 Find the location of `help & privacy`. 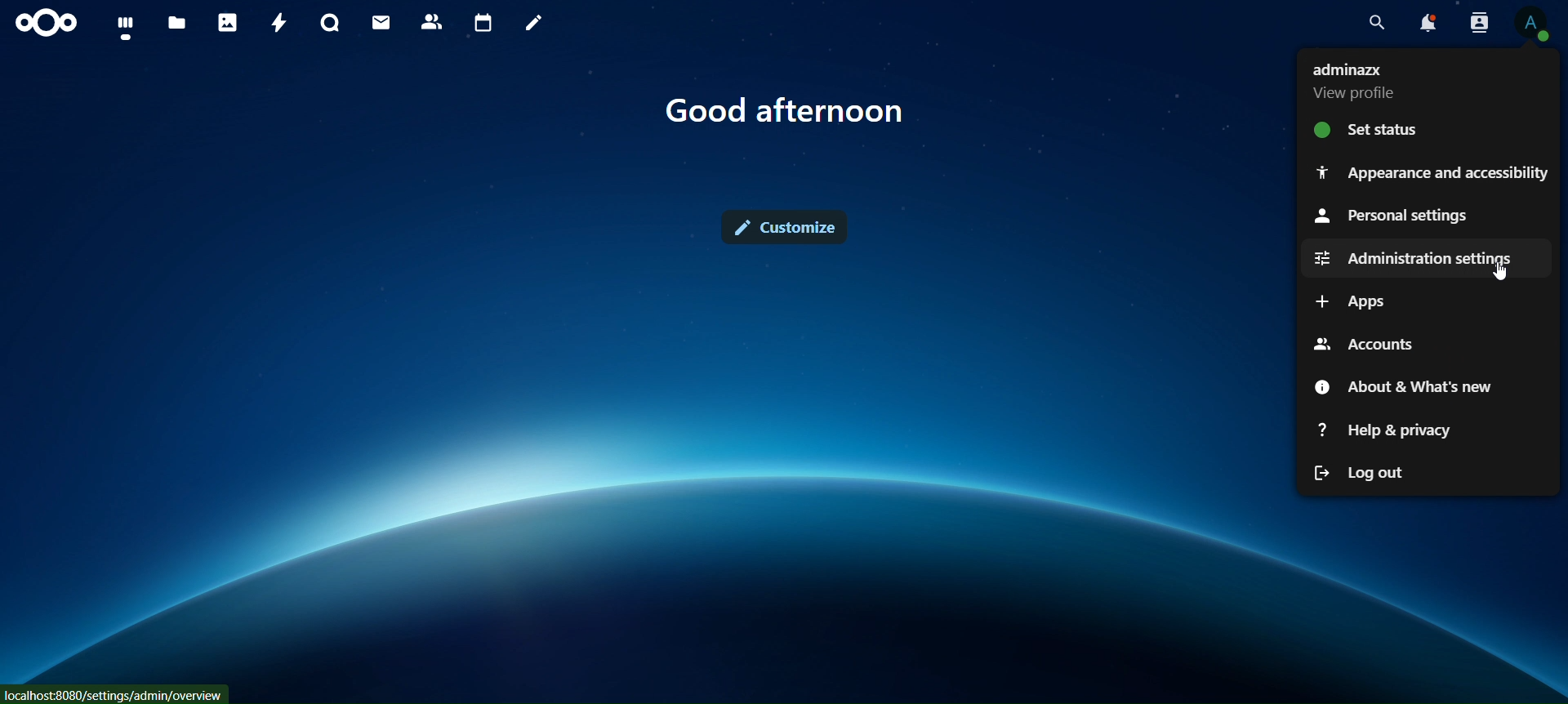

help & privacy is located at coordinates (1386, 430).